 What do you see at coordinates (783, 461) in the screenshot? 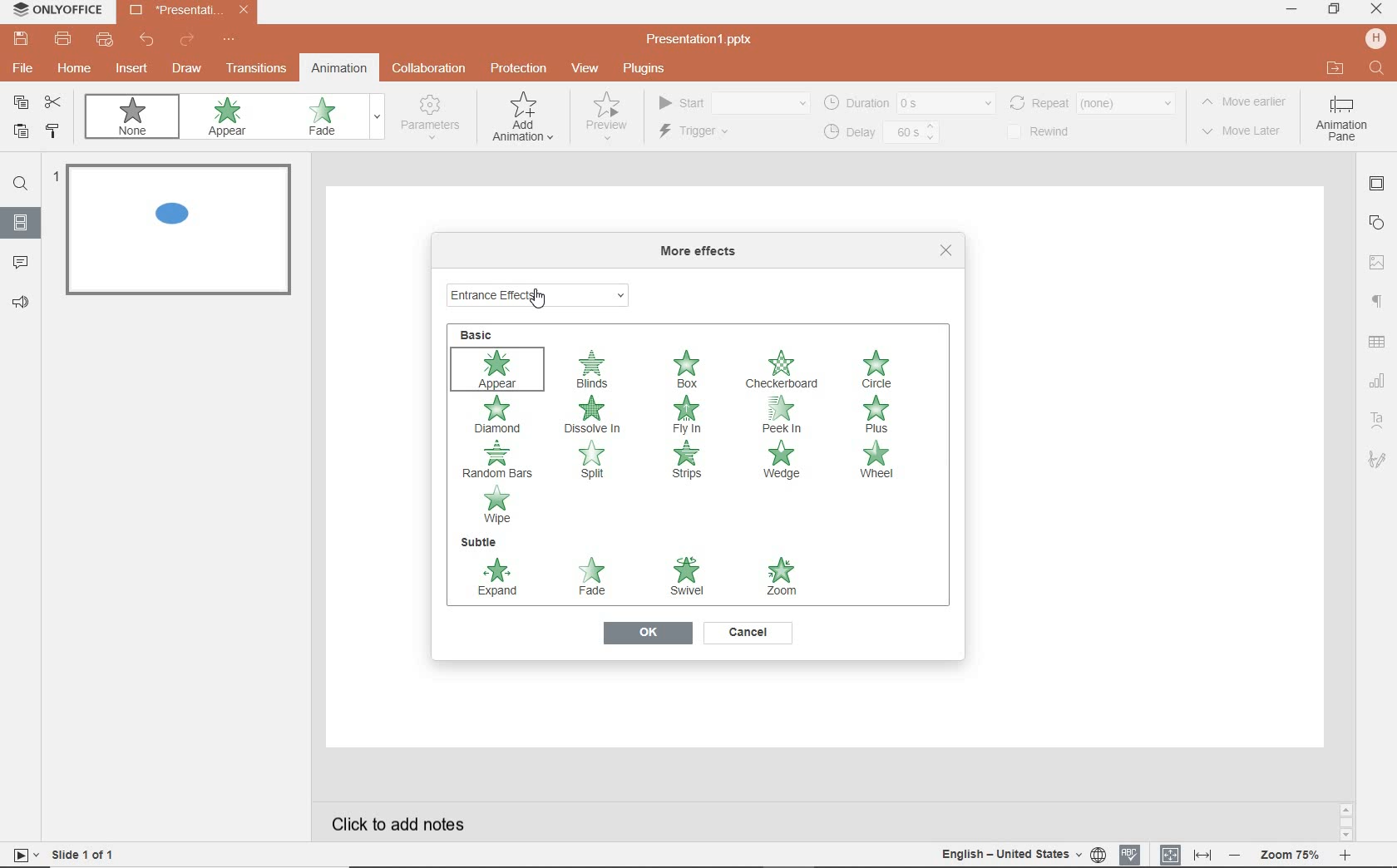
I see `WEDGE` at bounding box center [783, 461].